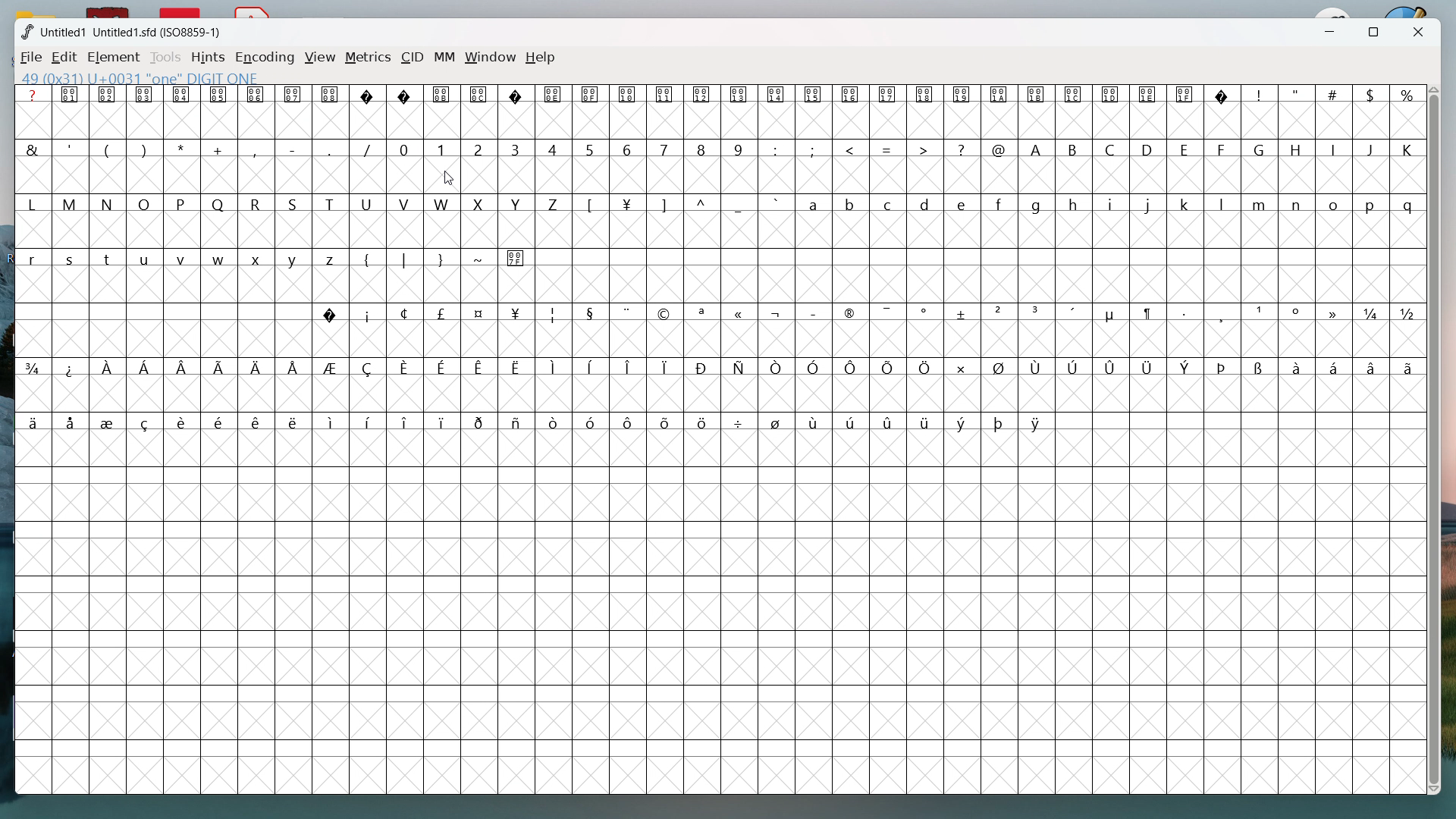  I want to click on symbol, so click(71, 369).